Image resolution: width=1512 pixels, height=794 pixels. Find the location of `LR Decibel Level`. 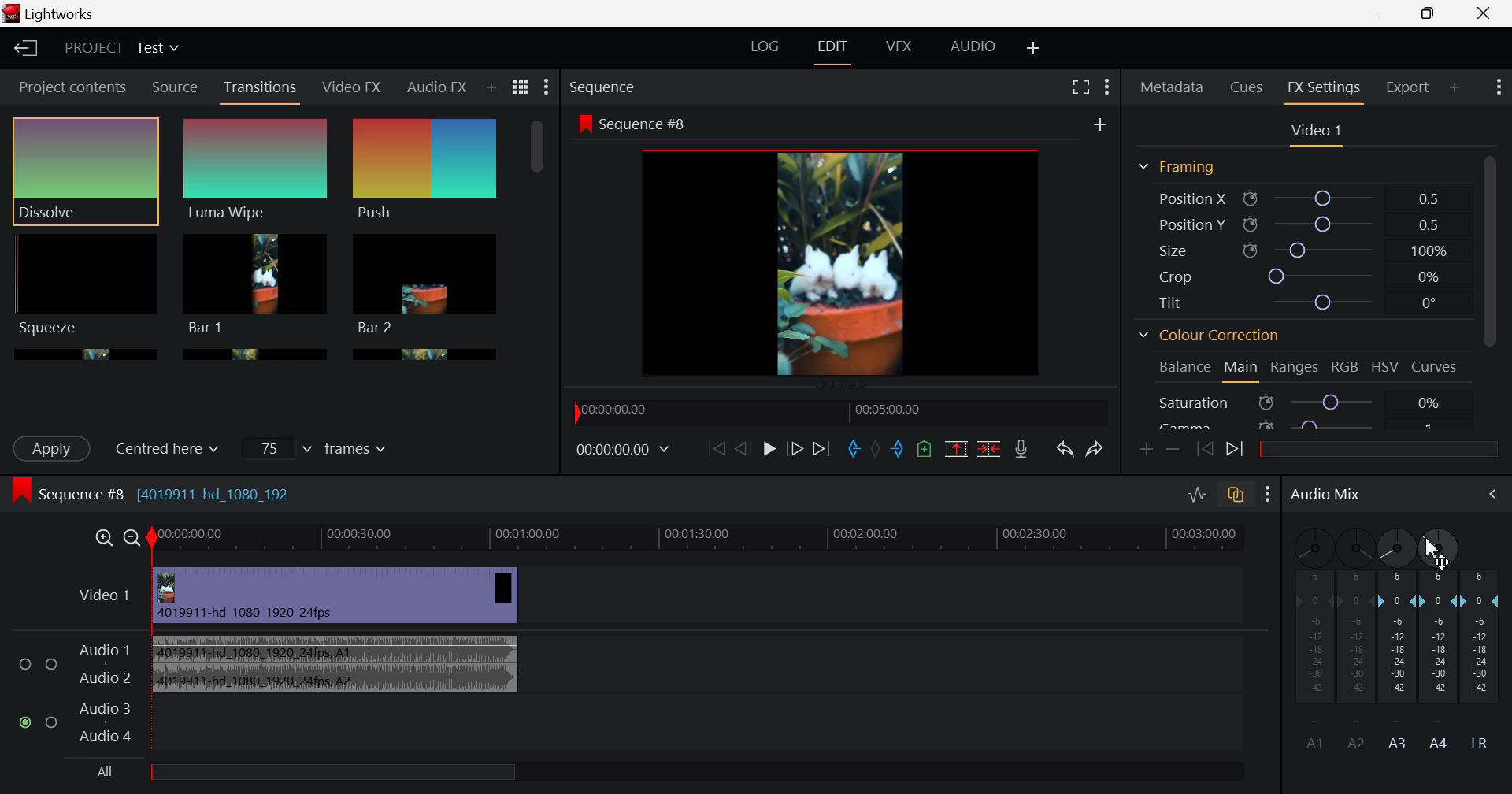

LR Decibel Level is located at coordinates (1485, 659).